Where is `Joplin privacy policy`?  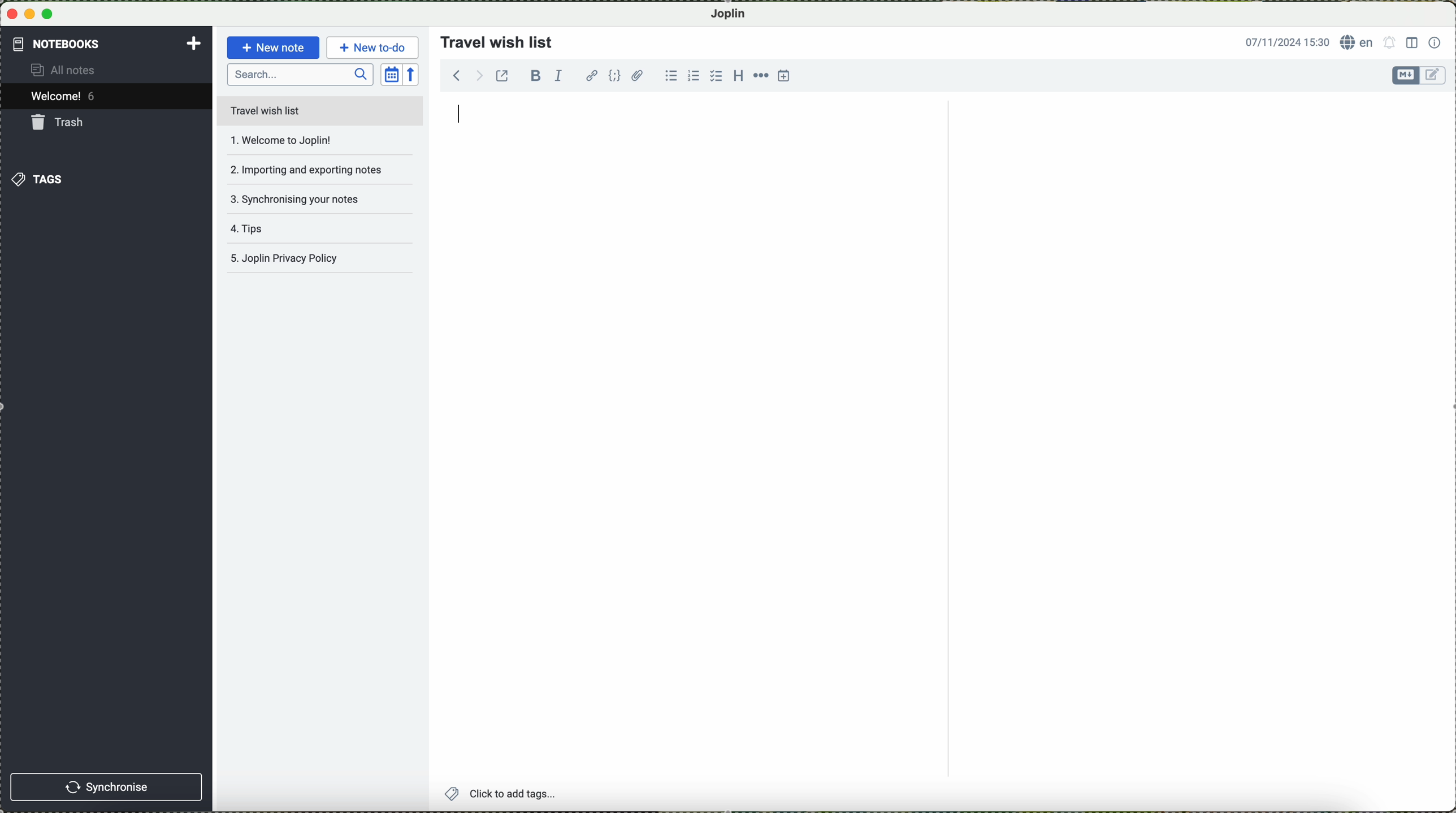 Joplin privacy policy is located at coordinates (317, 261).